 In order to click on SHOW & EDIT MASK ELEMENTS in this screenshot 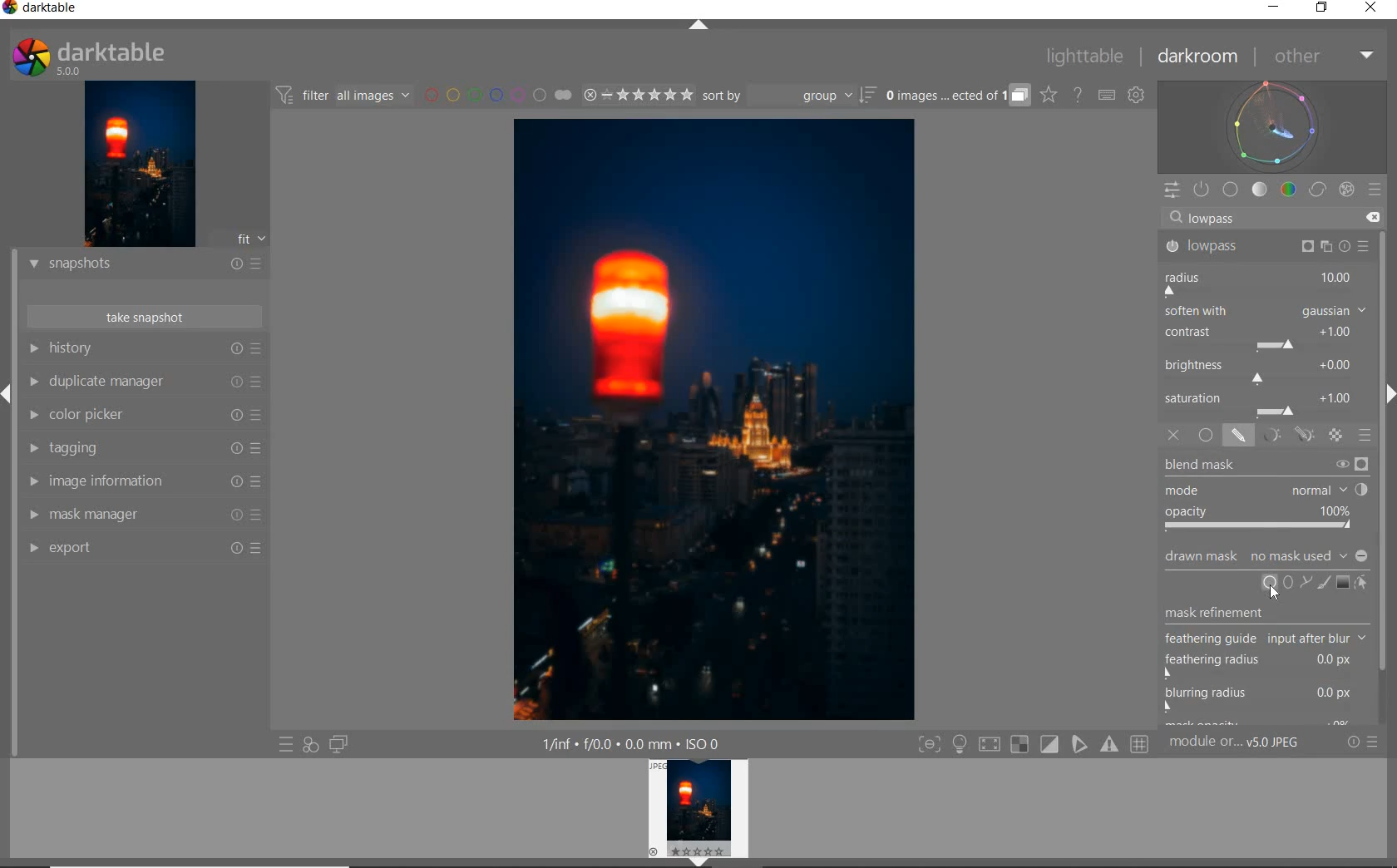, I will do `click(1362, 584)`.